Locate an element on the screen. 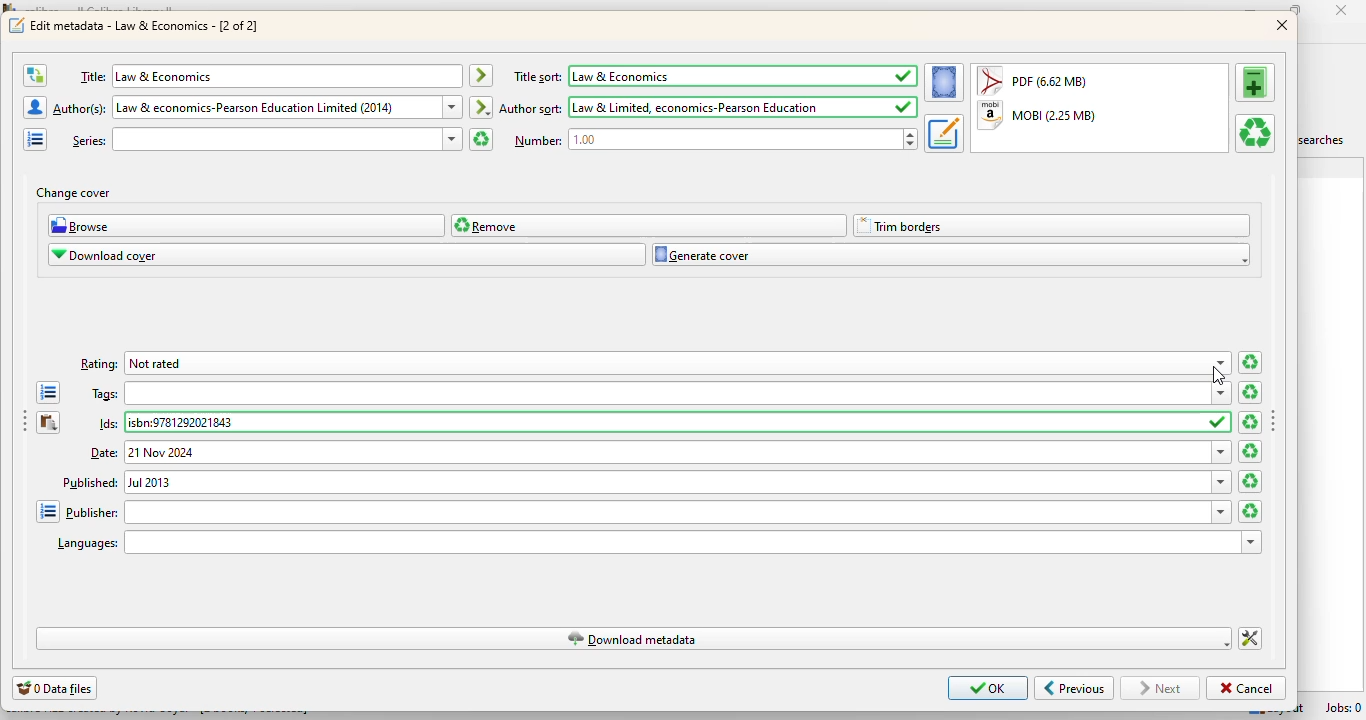 The image size is (1366, 720). swap the author and title is located at coordinates (34, 75).